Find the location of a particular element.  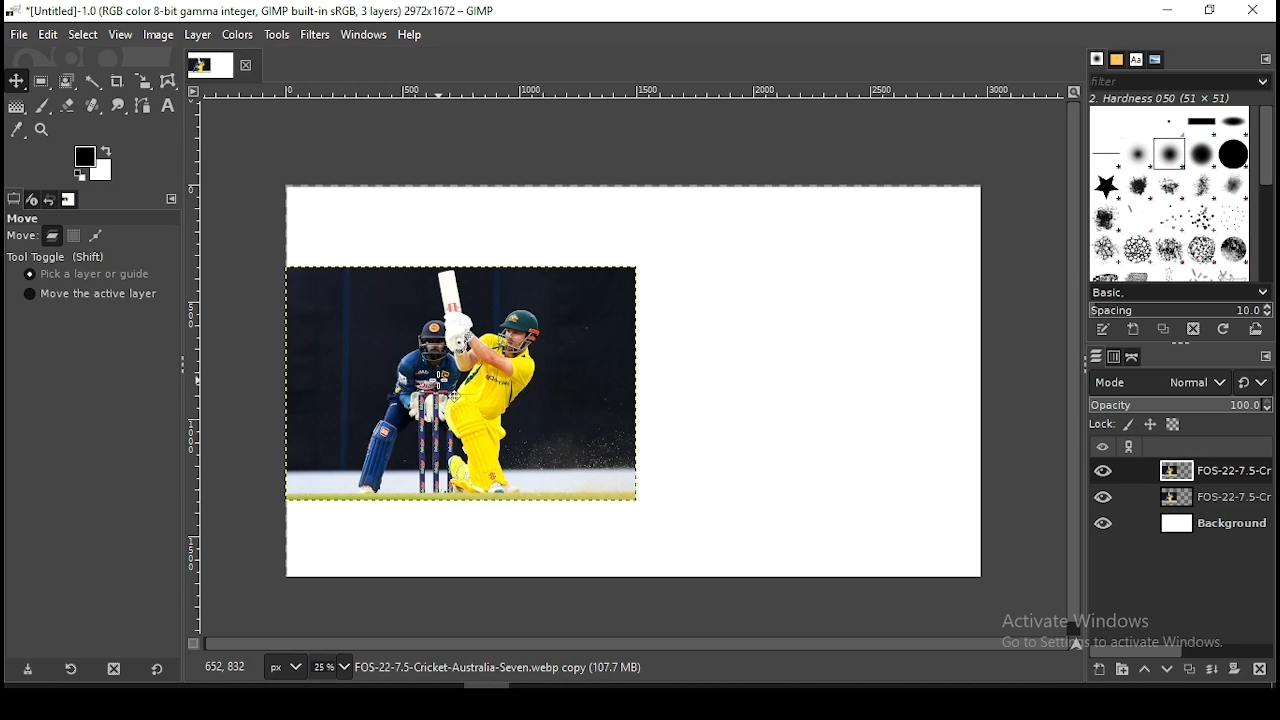

delete brush is located at coordinates (1193, 329).